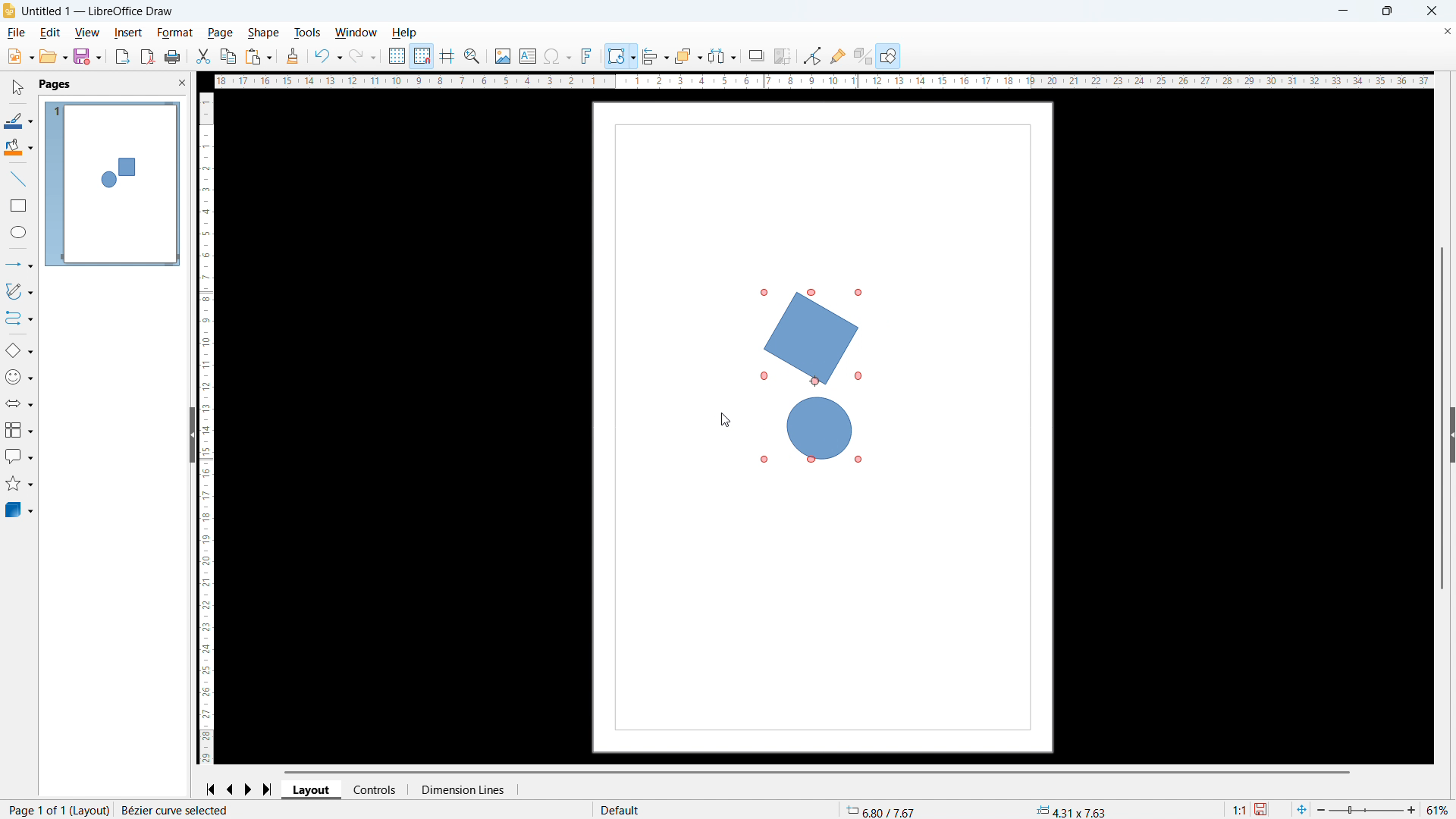  I want to click on Previous page , so click(231, 790).